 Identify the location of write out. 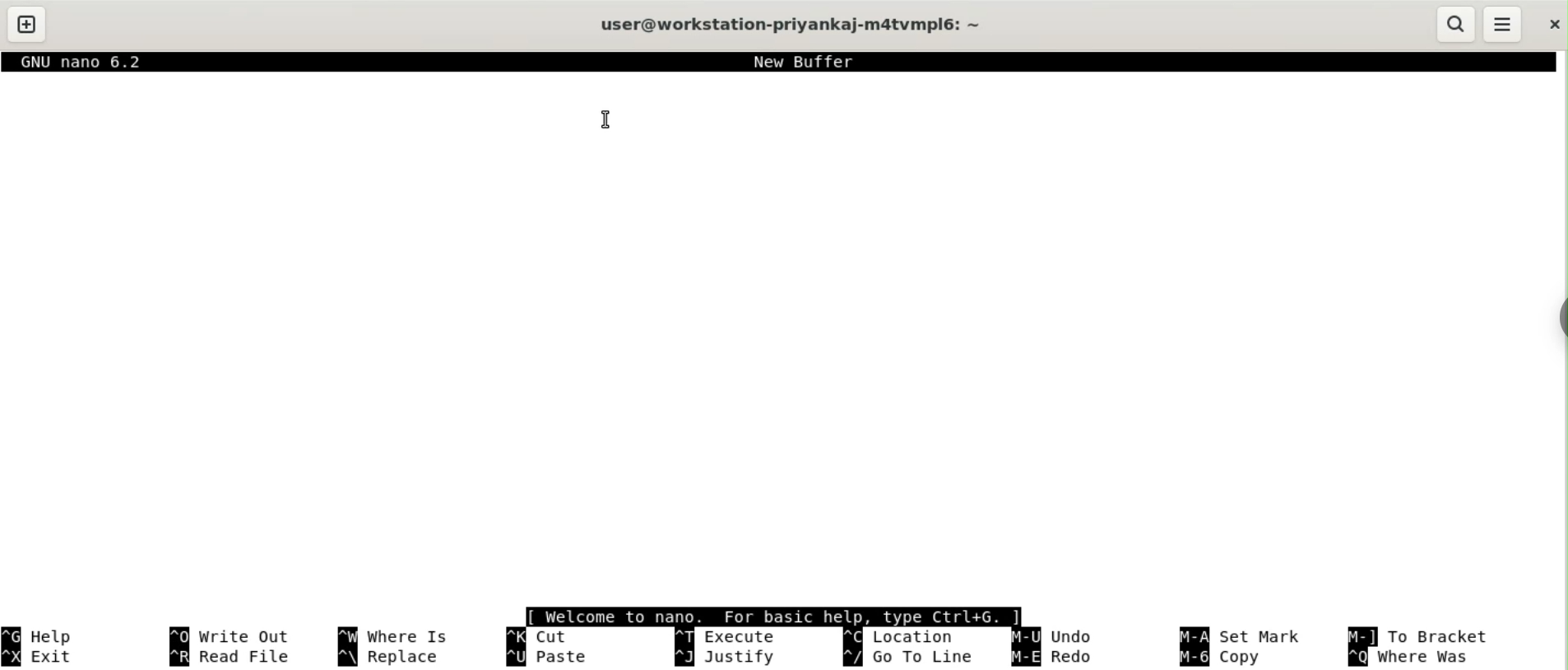
(233, 636).